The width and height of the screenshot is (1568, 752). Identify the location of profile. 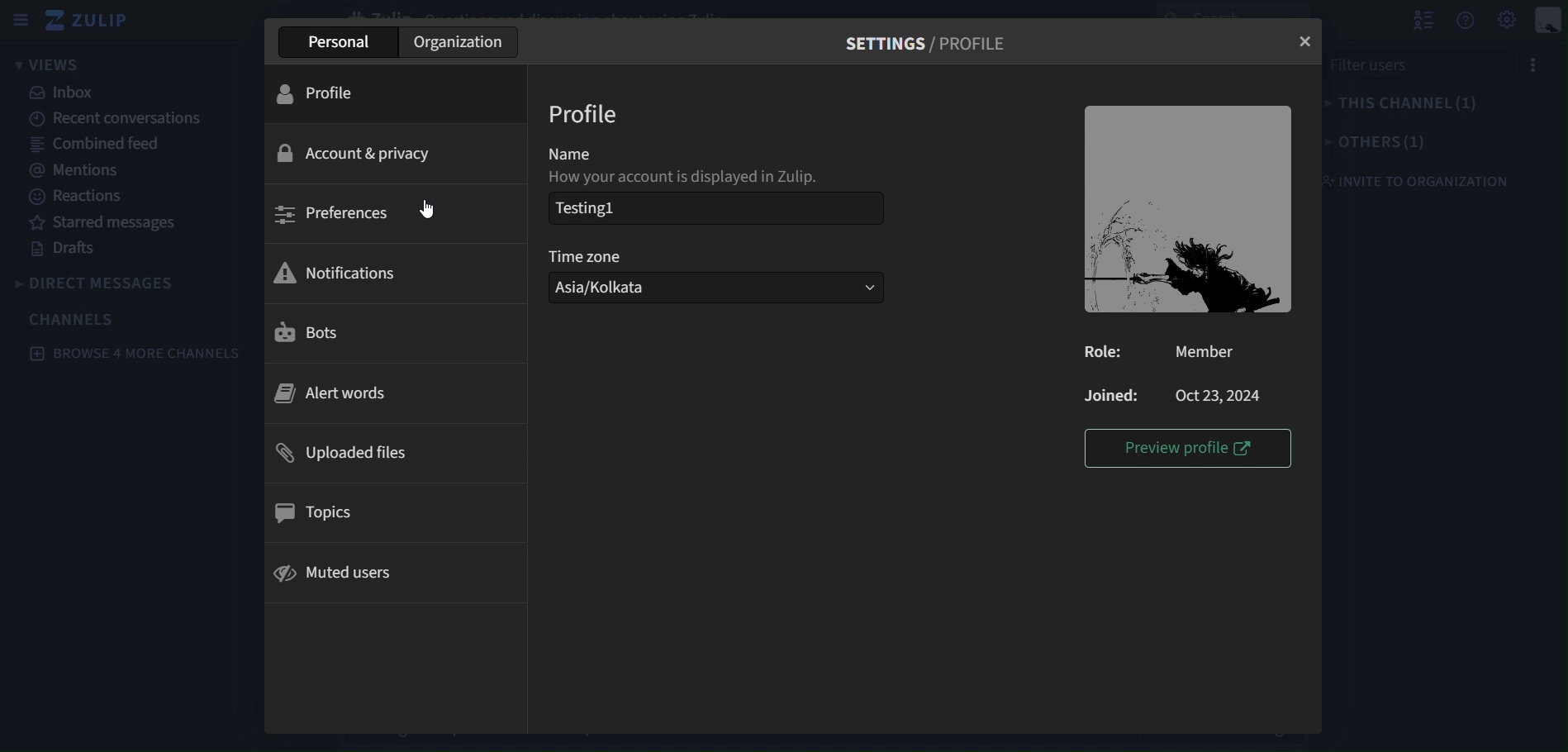
(398, 93).